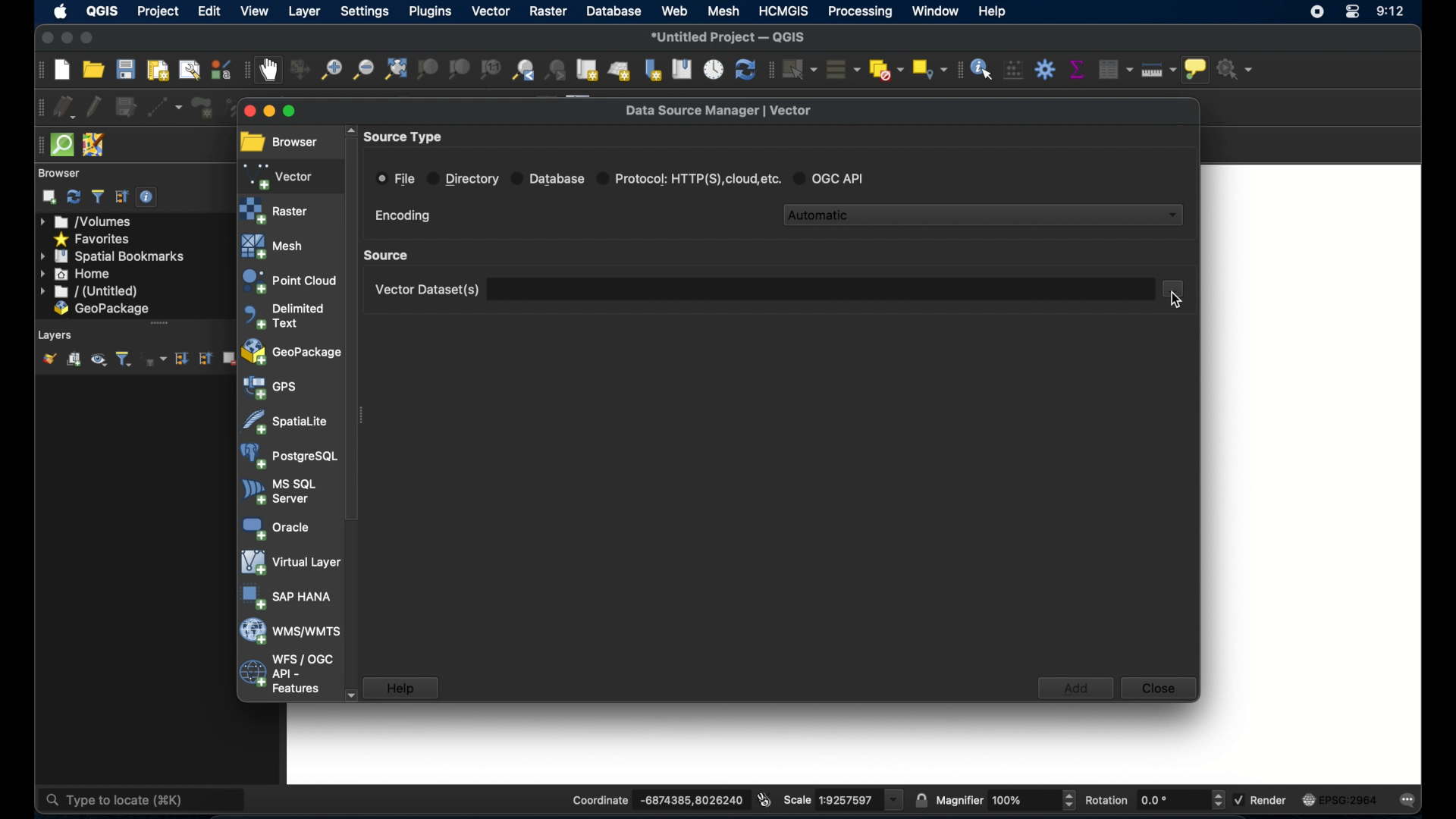  I want to click on manage map themes, so click(99, 361).